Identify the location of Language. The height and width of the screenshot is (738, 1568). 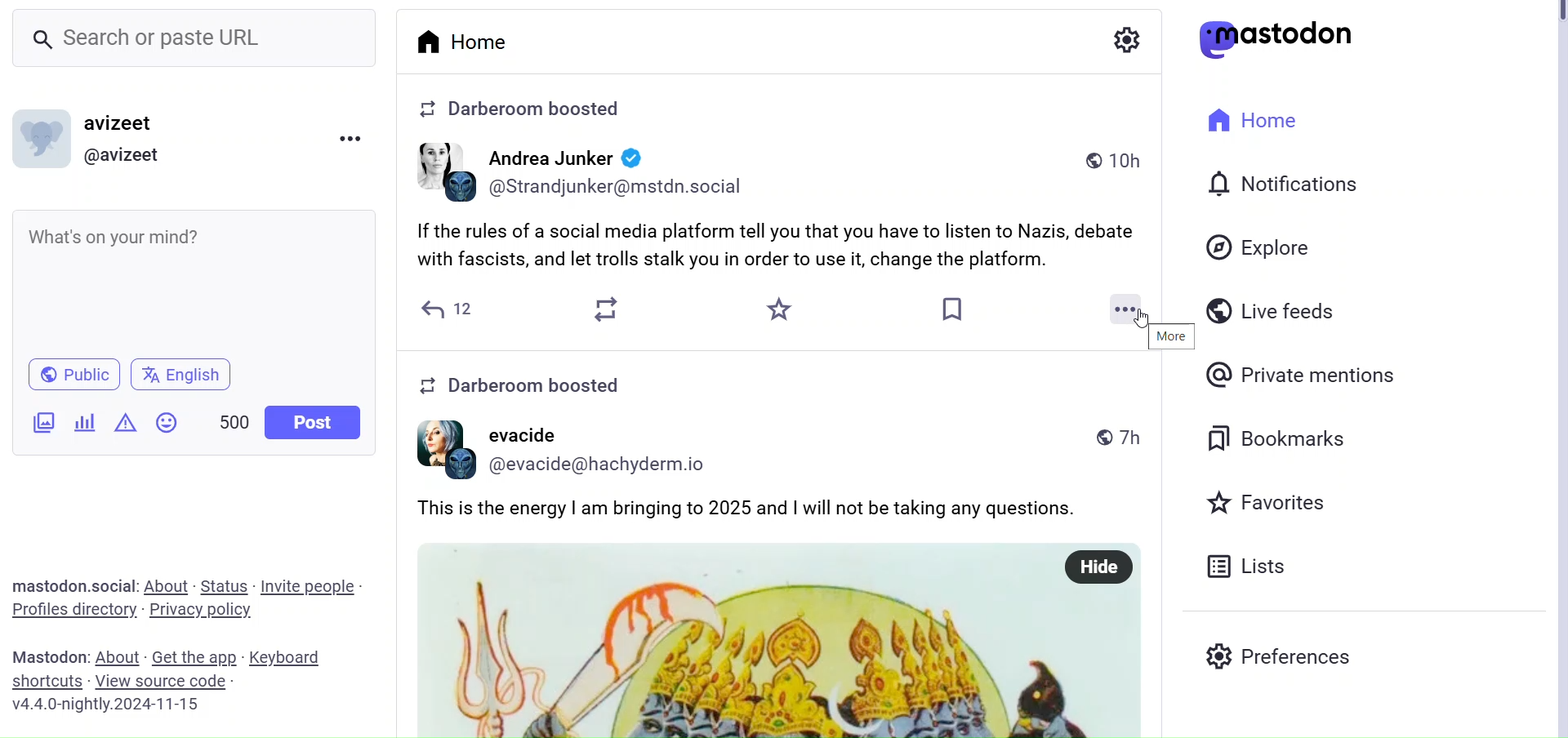
(180, 373).